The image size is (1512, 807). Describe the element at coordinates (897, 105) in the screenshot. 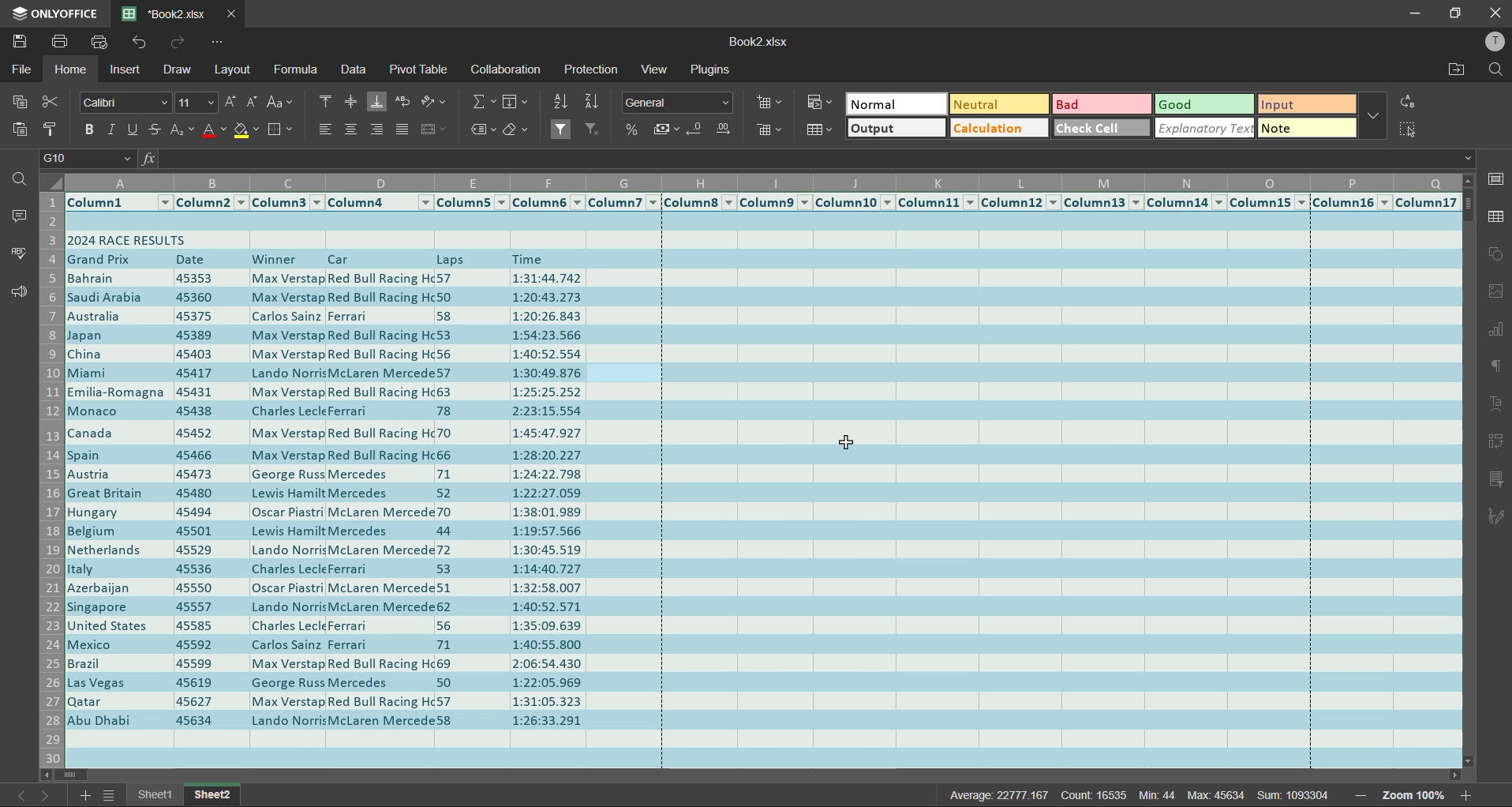

I see `normal` at that location.